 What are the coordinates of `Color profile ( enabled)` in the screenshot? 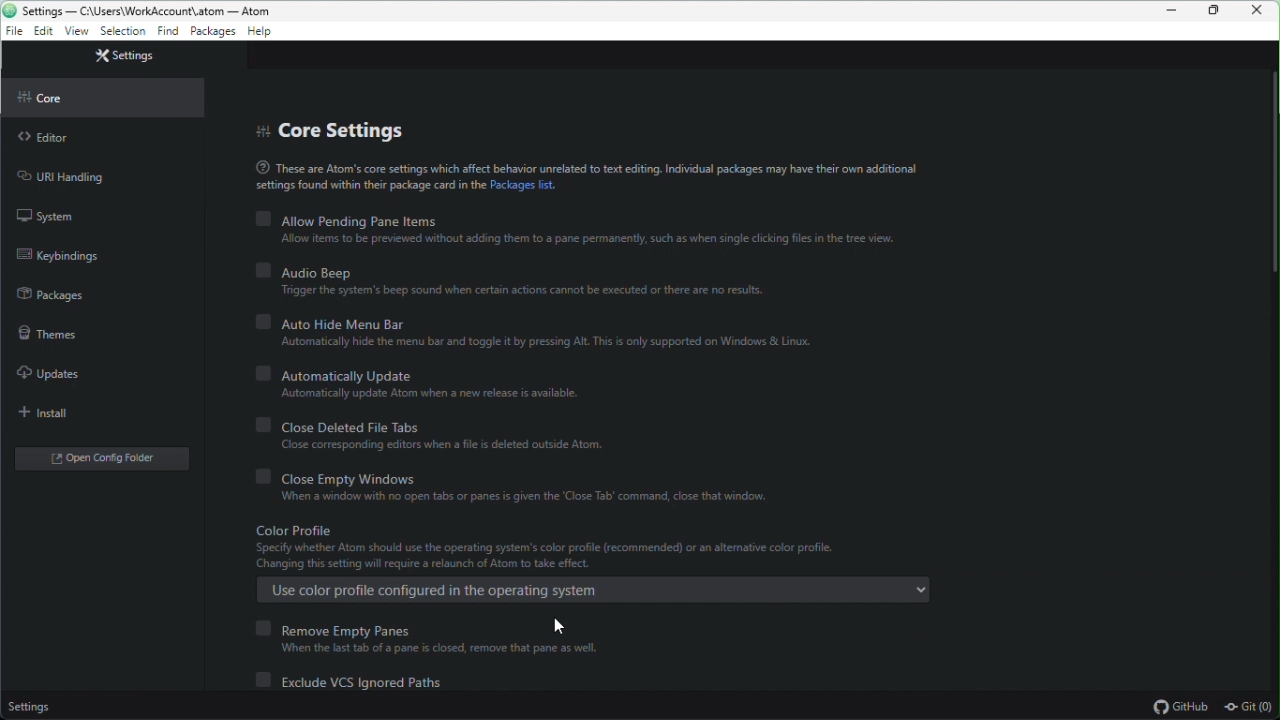 It's located at (591, 565).